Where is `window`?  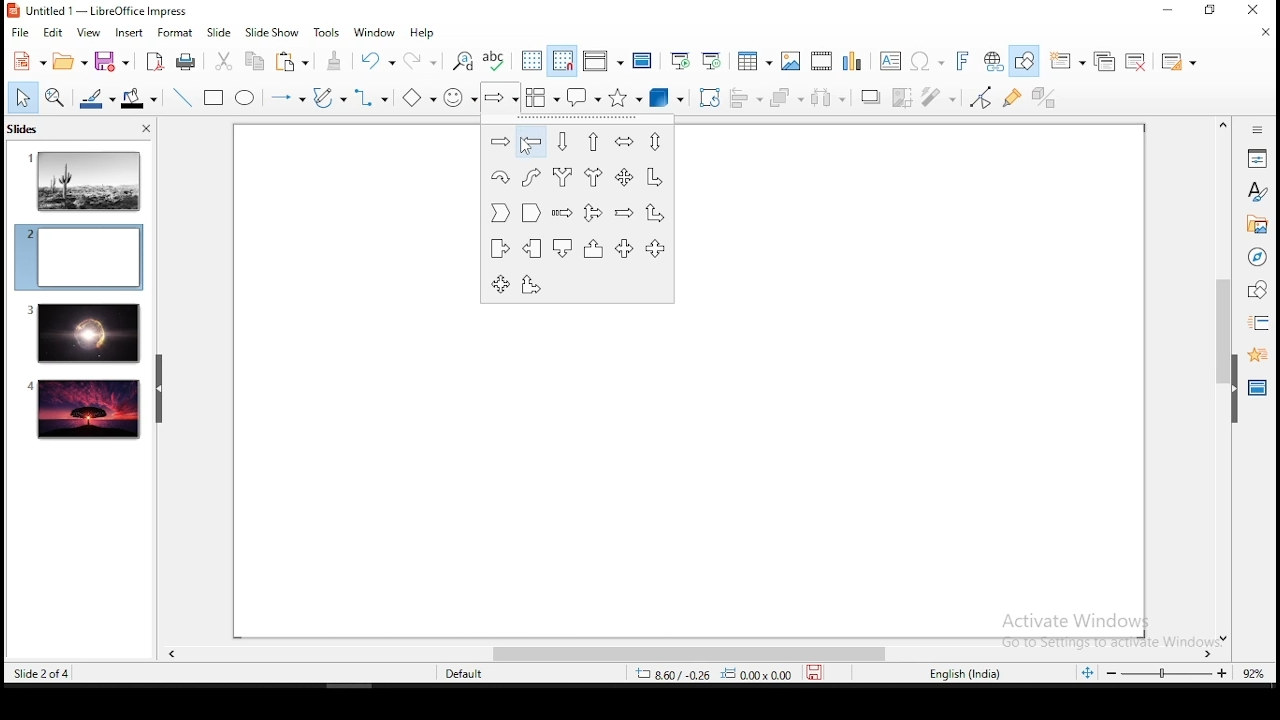
window is located at coordinates (374, 33).